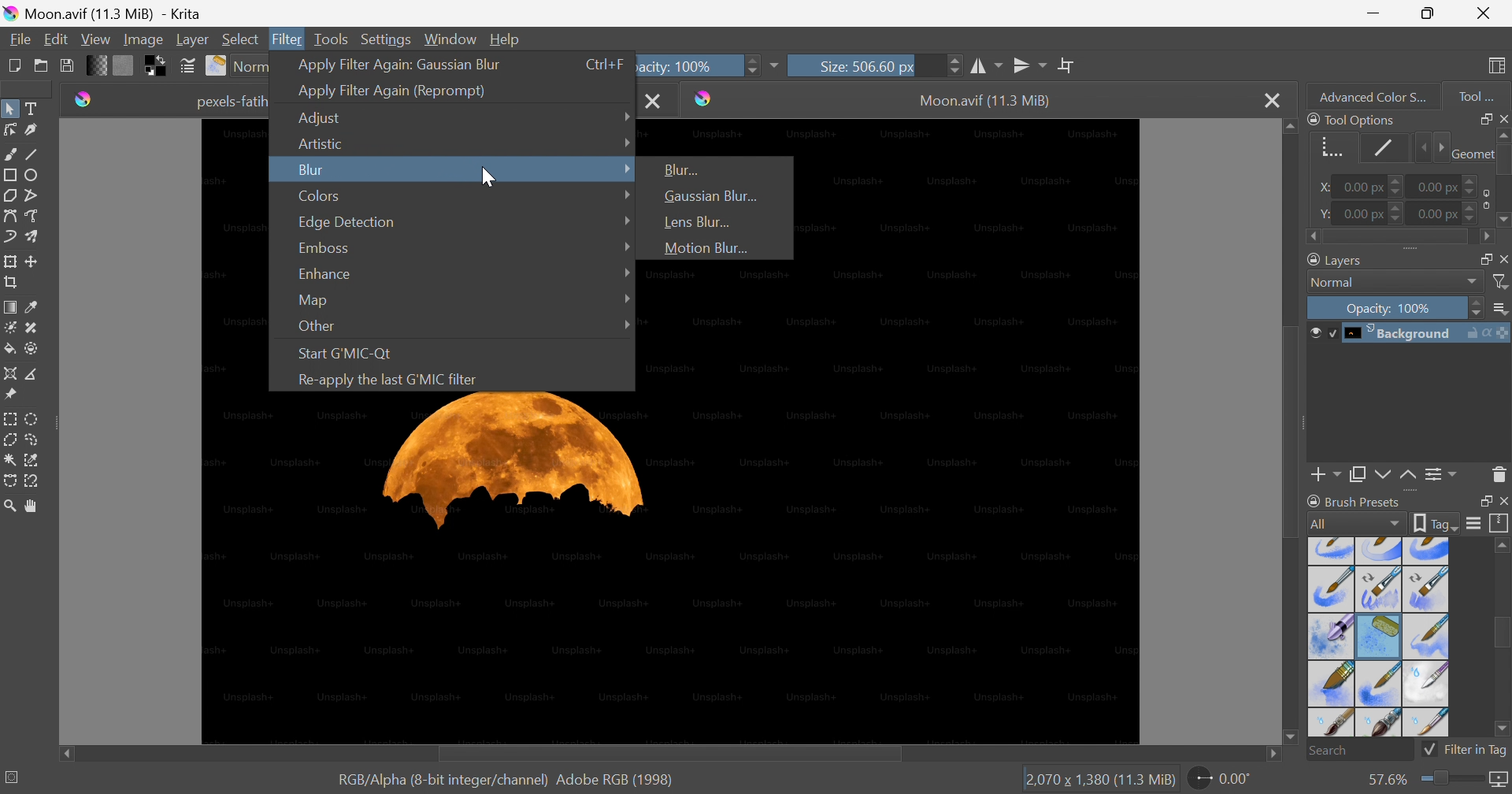  What do you see at coordinates (42, 65) in the screenshot?
I see `Open and existing document` at bounding box center [42, 65].